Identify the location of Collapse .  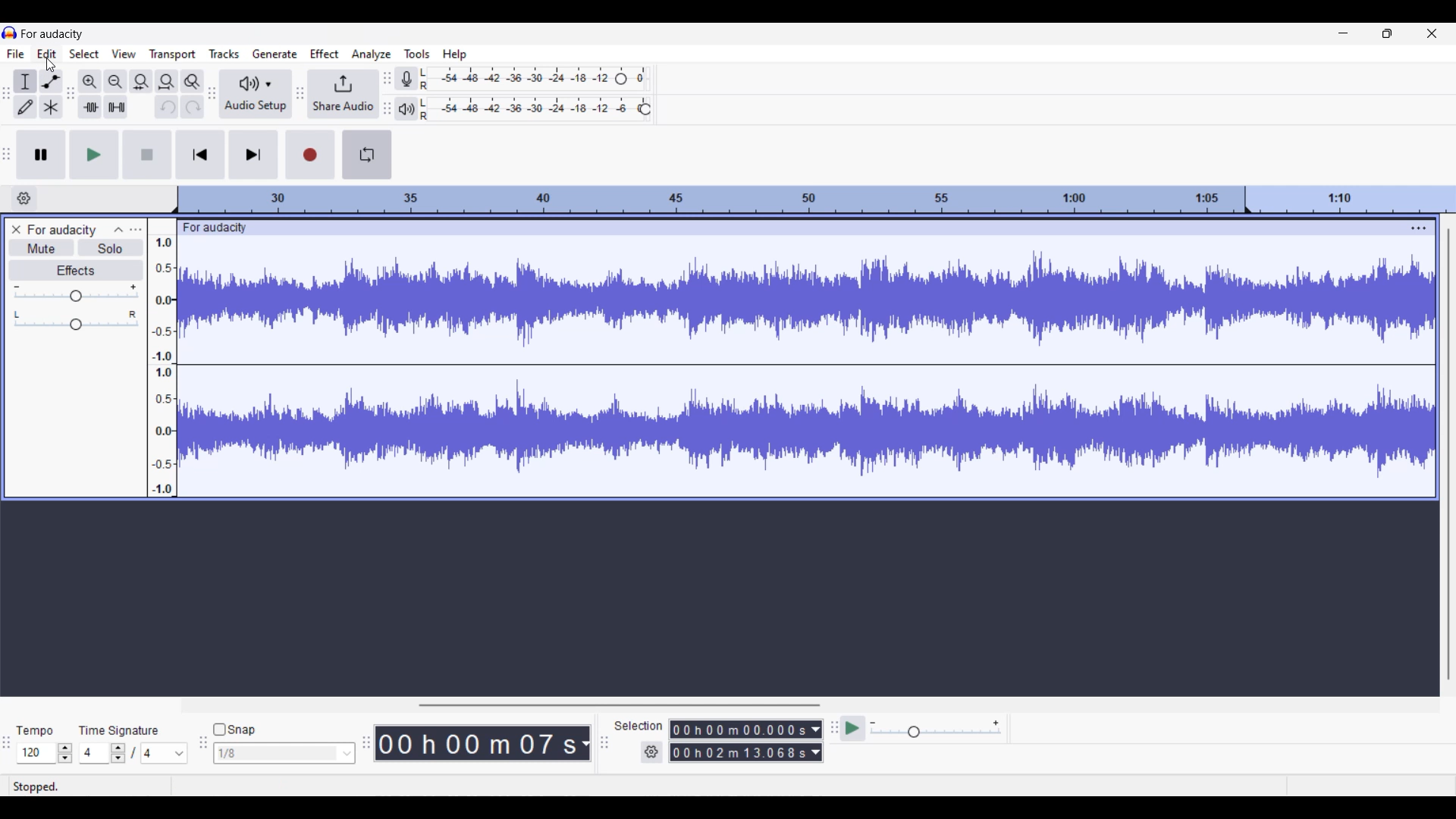
(118, 230).